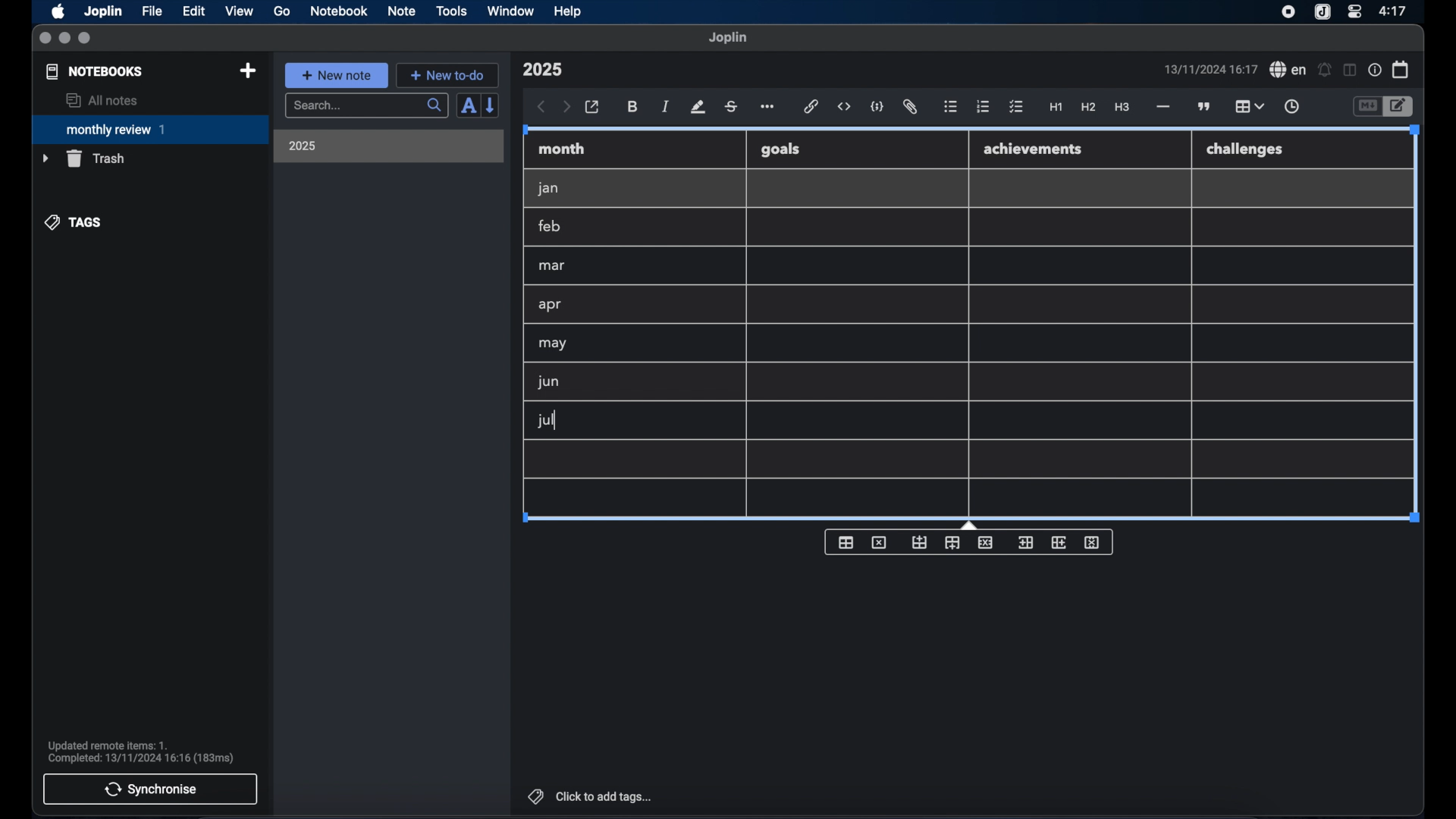  What do you see at coordinates (1089, 108) in the screenshot?
I see `heading 2` at bounding box center [1089, 108].